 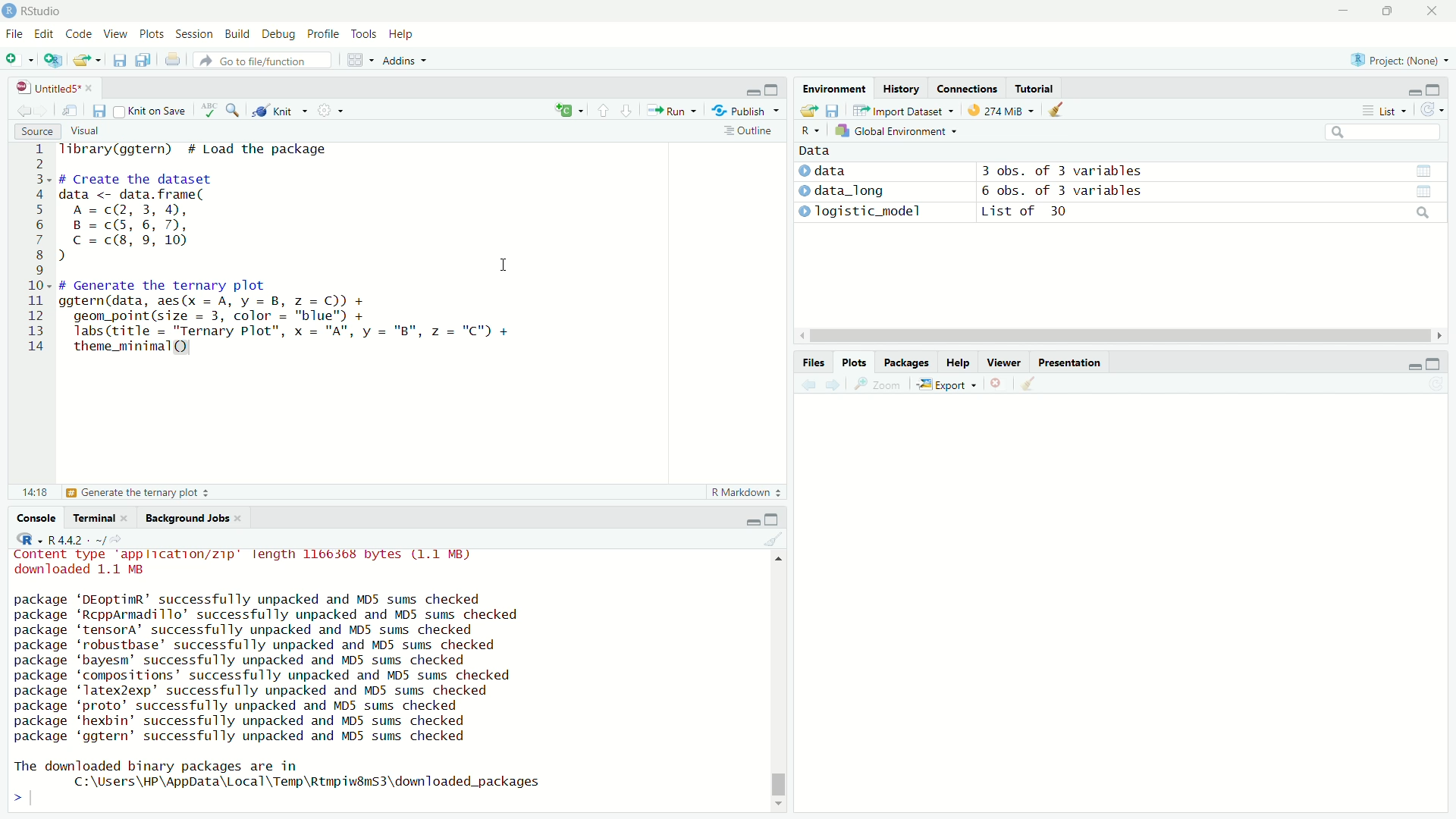 I want to click on Tutorial, so click(x=1036, y=87).